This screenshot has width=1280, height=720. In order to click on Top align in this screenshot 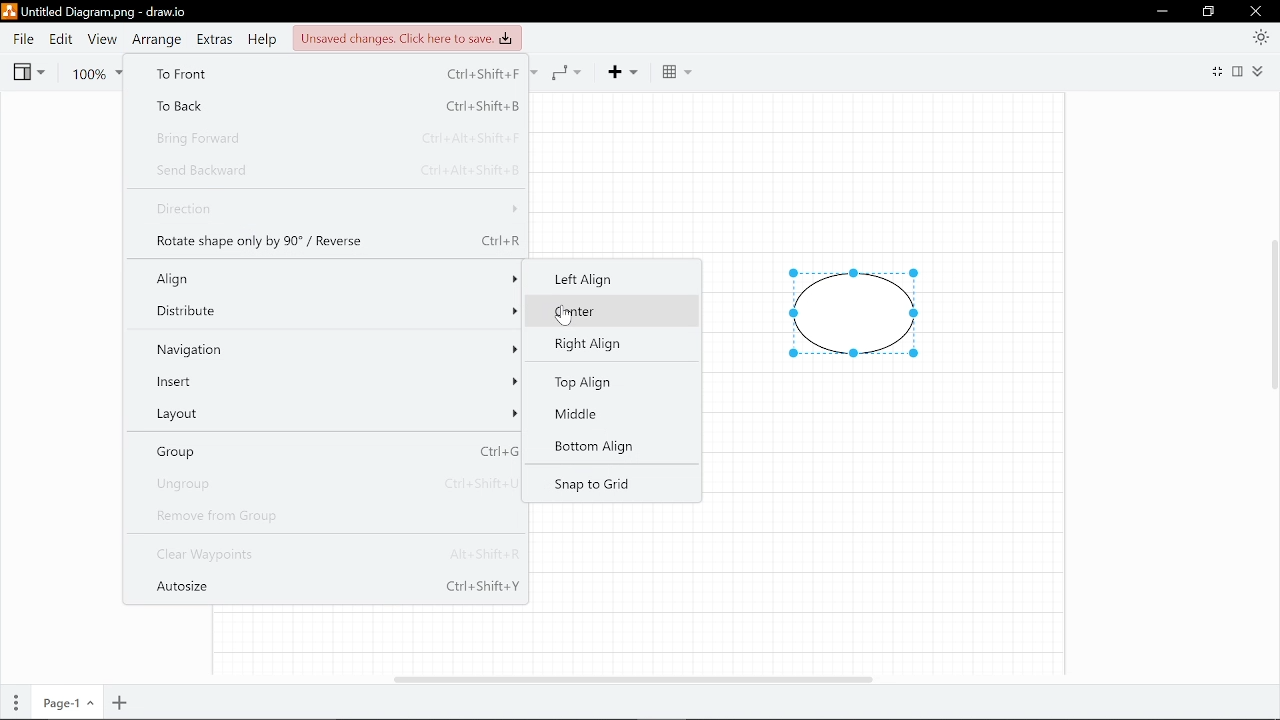, I will do `click(595, 383)`.